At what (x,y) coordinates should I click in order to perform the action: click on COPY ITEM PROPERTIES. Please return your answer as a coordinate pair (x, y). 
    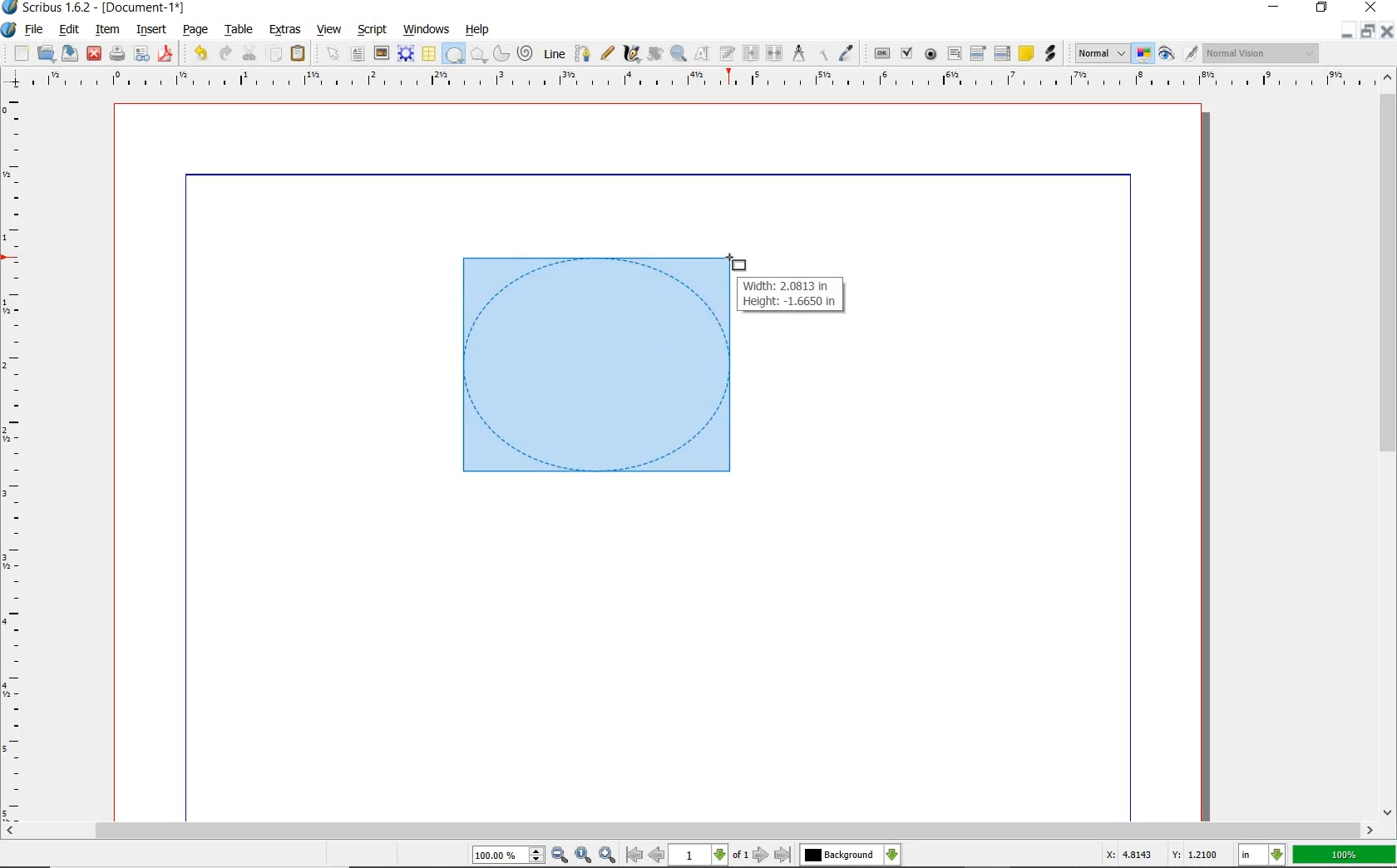
    Looking at the image, I should click on (822, 52).